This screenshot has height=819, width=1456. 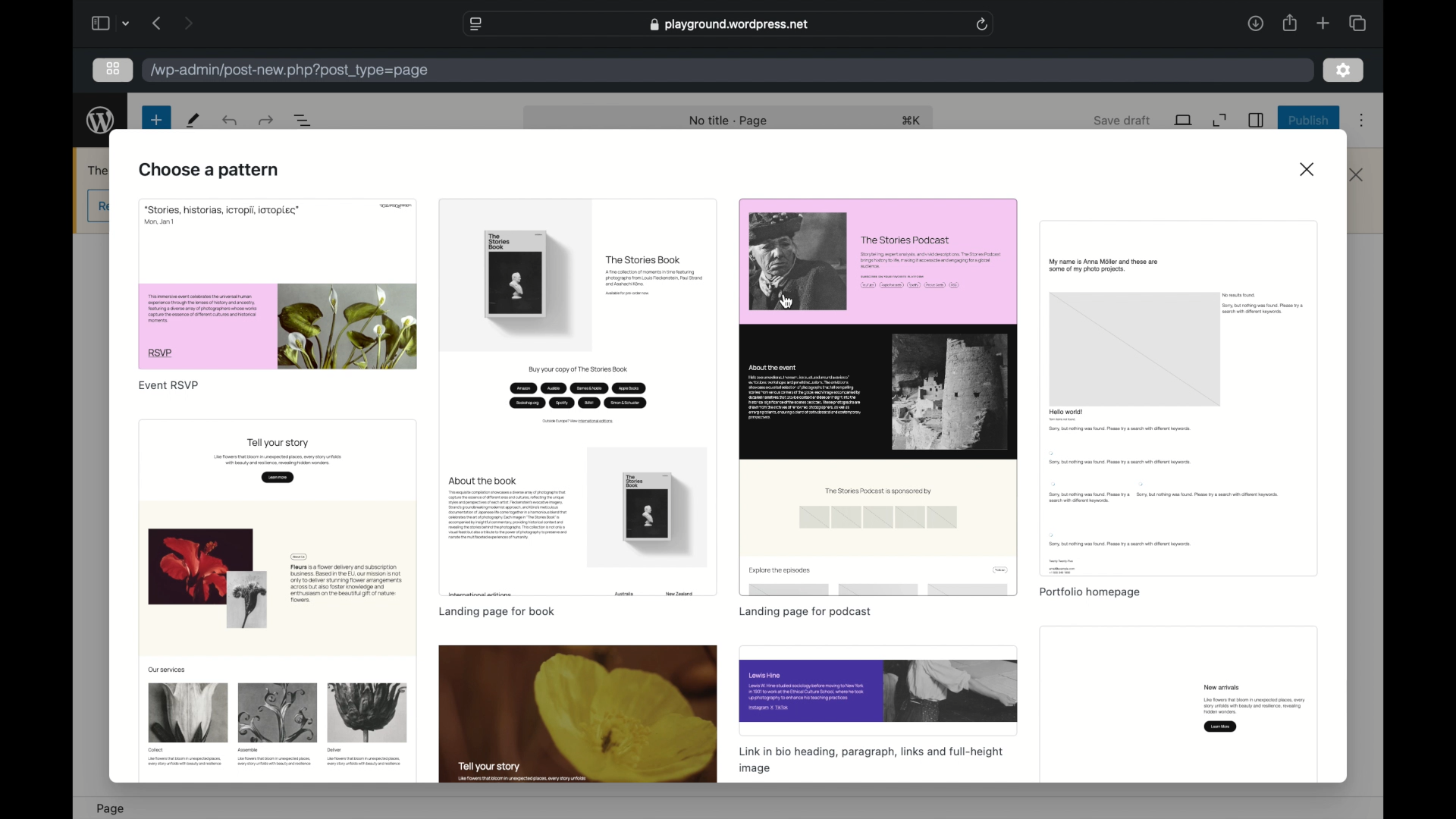 I want to click on previous page, so click(x=158, y=24).